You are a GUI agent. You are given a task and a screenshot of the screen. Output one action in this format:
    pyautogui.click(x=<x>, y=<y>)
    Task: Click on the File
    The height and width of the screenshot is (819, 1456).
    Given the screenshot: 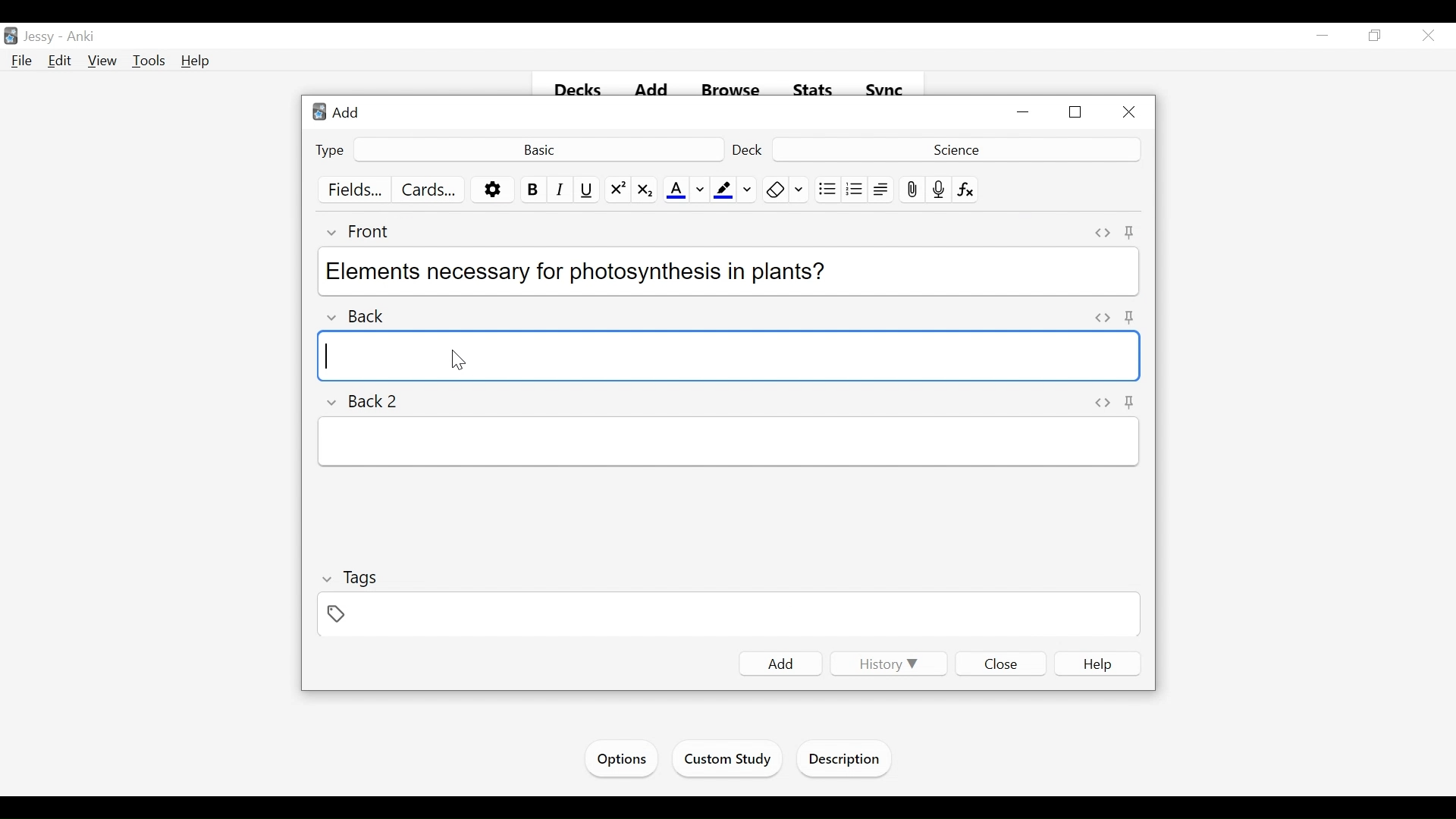 What is the action you would take?
    pyautogui.click(x=22, y=61)
    